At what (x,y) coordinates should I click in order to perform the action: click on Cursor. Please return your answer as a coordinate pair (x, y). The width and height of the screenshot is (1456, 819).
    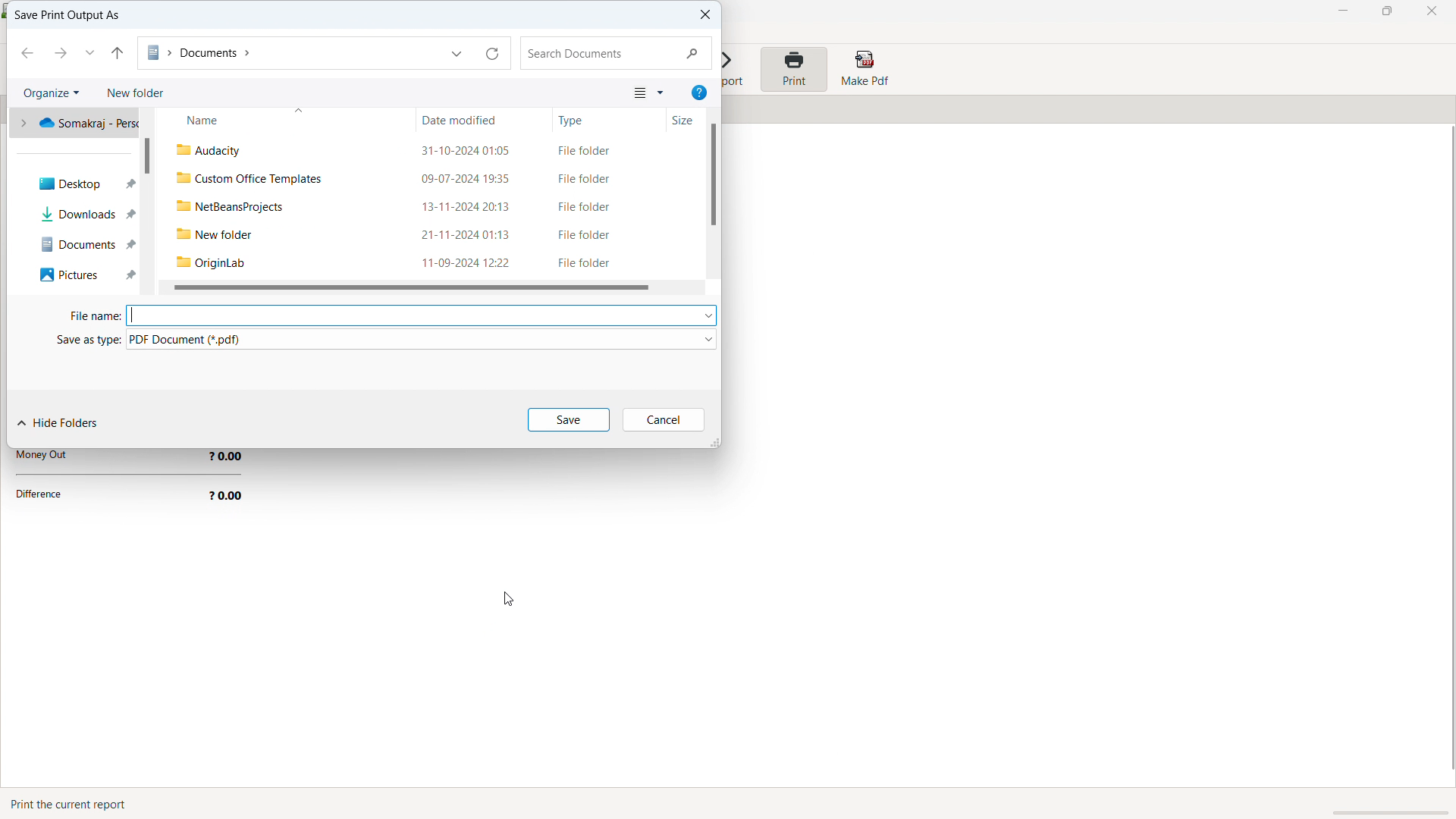
    Looking at the image, I should click on (505, 600).